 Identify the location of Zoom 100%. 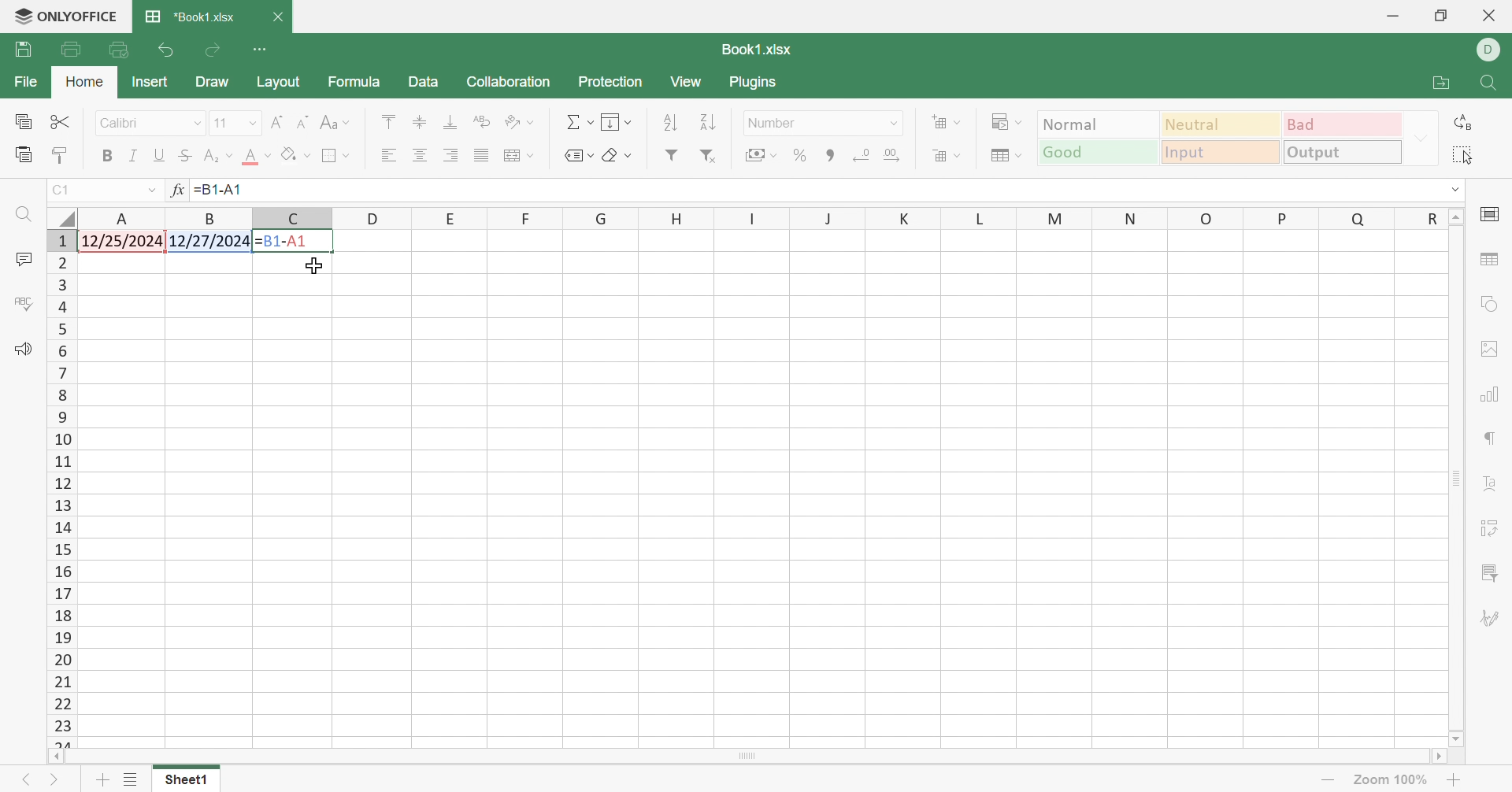
(1395, 780).